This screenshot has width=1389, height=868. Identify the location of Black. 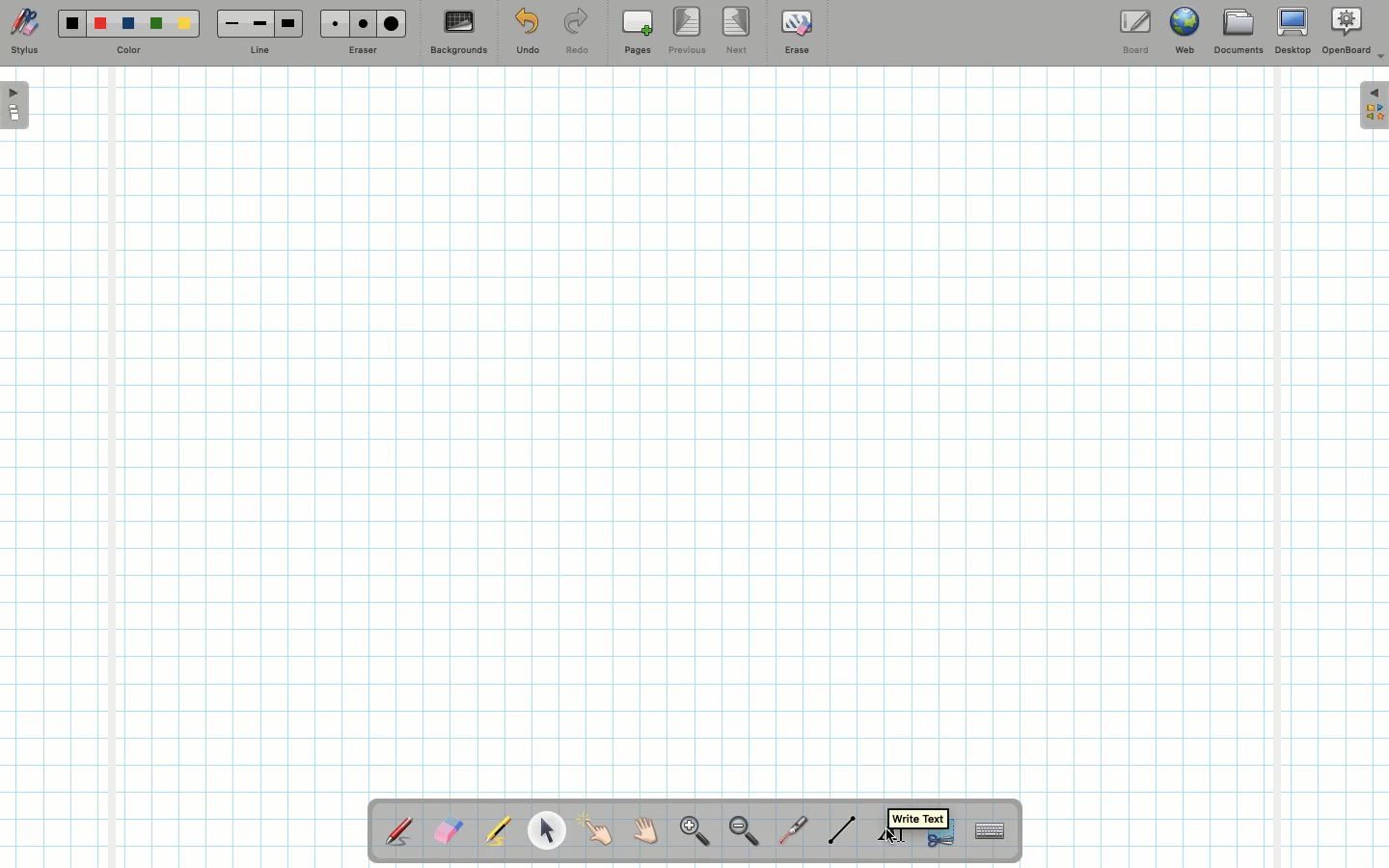
(70, 23).